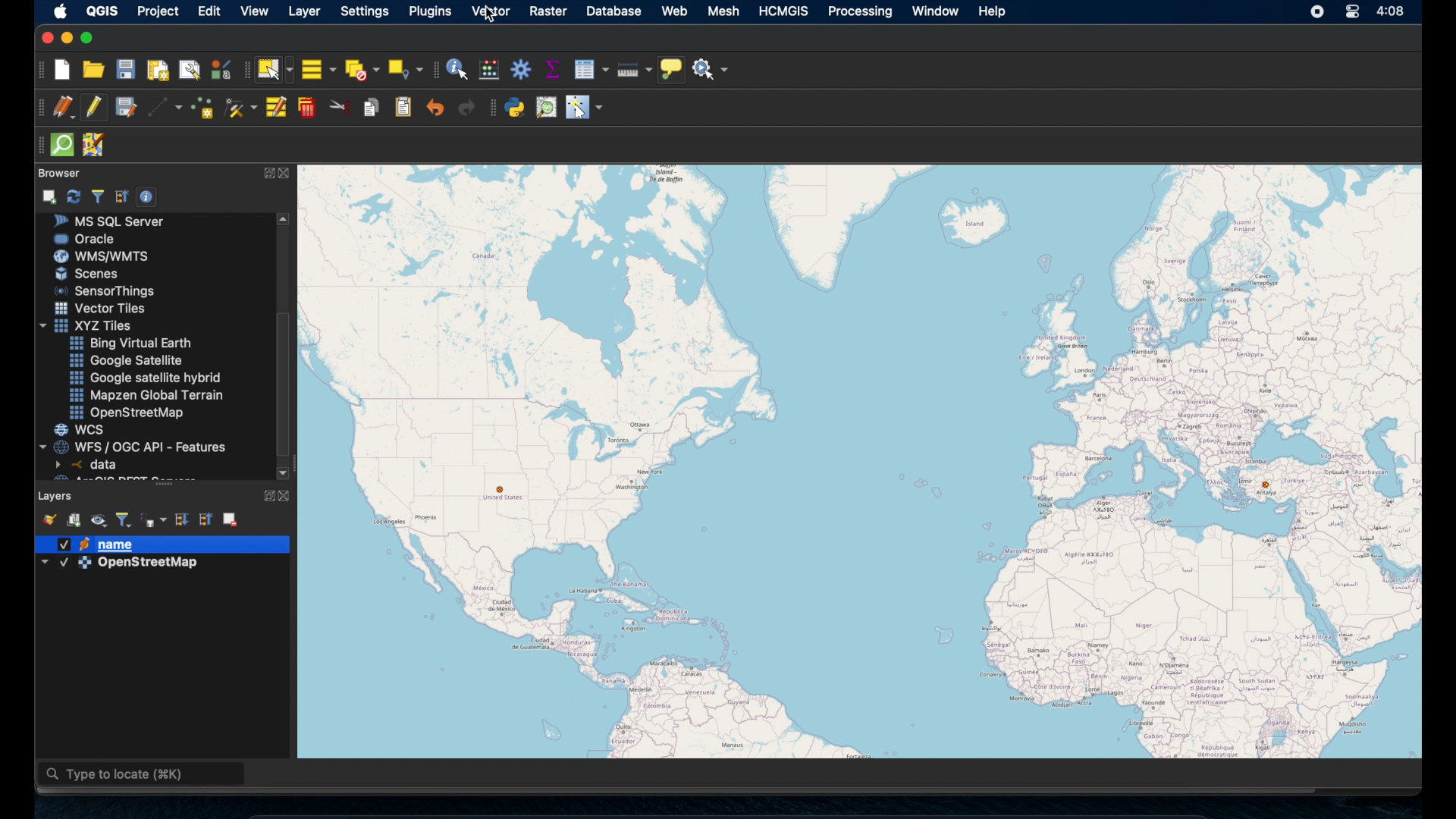 The image size is (1456, 819). Describe the element at coordinates (430, 11) in the screenshot. I see `plugins` at that location.